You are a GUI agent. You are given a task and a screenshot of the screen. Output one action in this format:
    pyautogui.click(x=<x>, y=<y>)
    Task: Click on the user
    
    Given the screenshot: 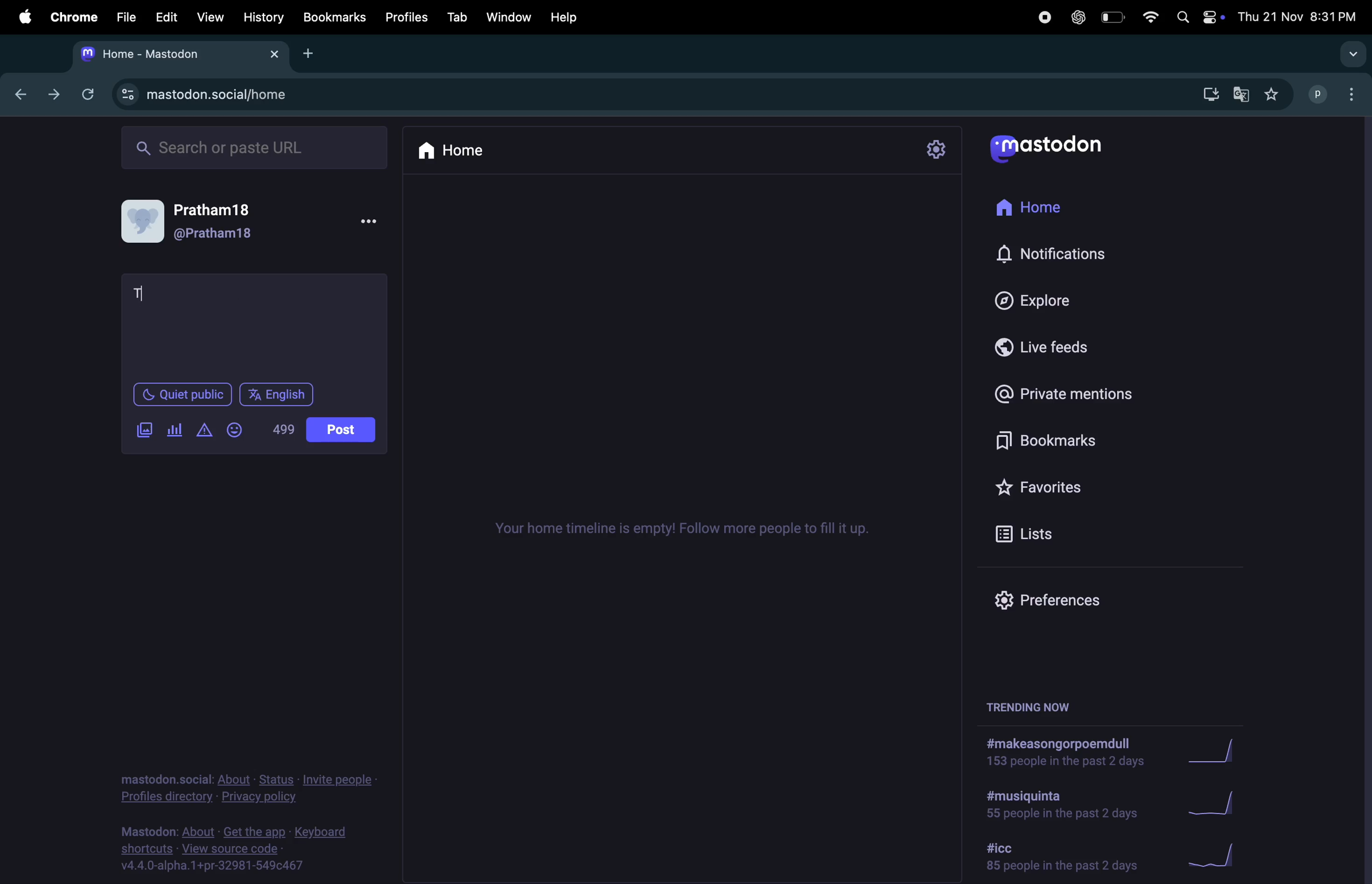 What is the action you would take?
    pyautogui.click(x=216, y=234)
    